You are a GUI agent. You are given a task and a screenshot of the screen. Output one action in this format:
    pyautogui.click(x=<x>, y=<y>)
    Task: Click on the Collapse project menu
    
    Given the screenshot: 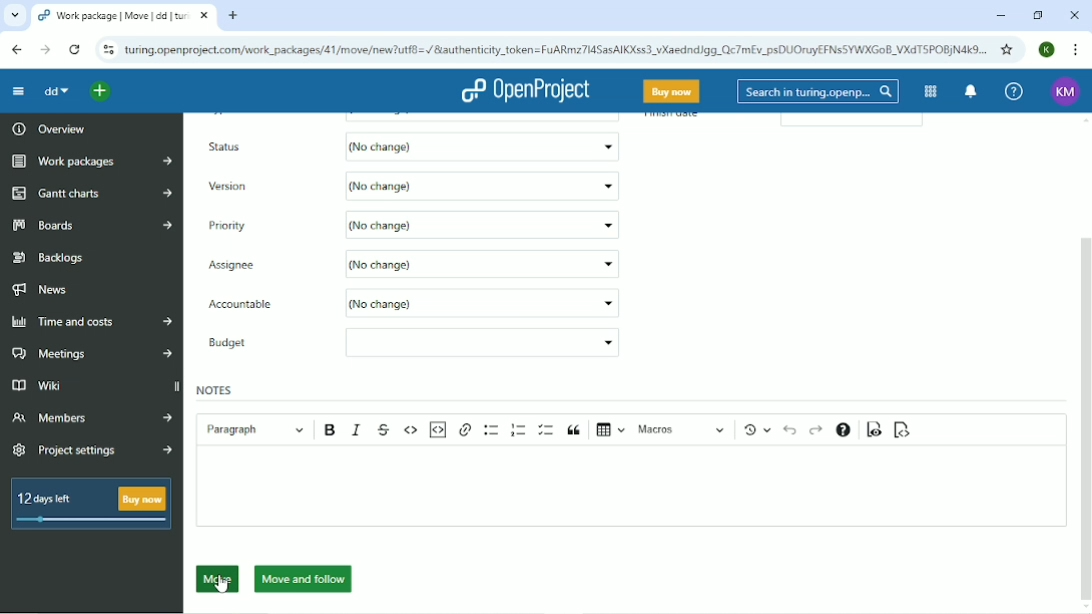 What is the action you would take?
    pyautogui.click(x=18, y=91)
    